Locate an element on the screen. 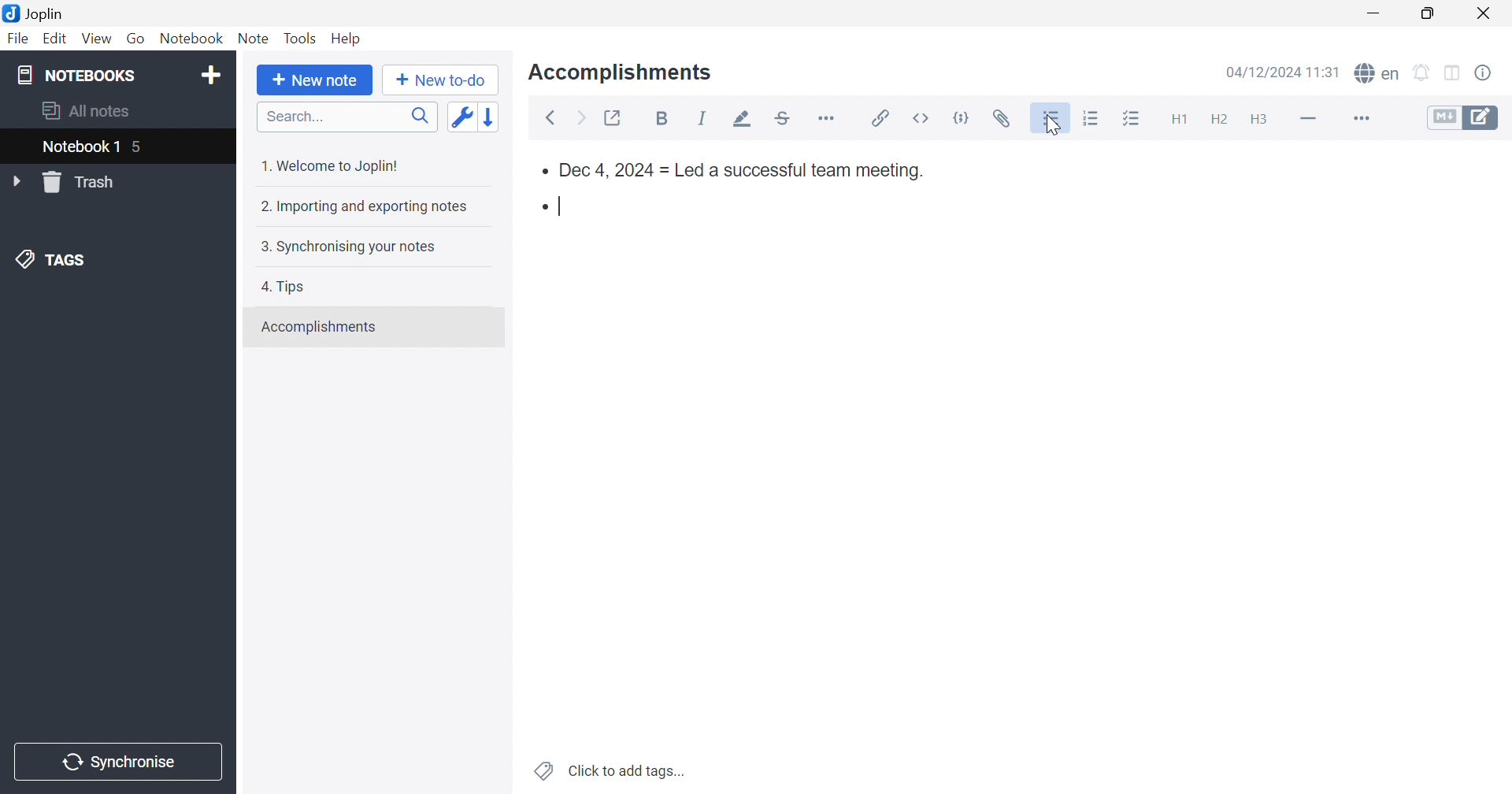 The width and height of the screenshot is (1512, 794). Search is located at coordinates (347, 117).